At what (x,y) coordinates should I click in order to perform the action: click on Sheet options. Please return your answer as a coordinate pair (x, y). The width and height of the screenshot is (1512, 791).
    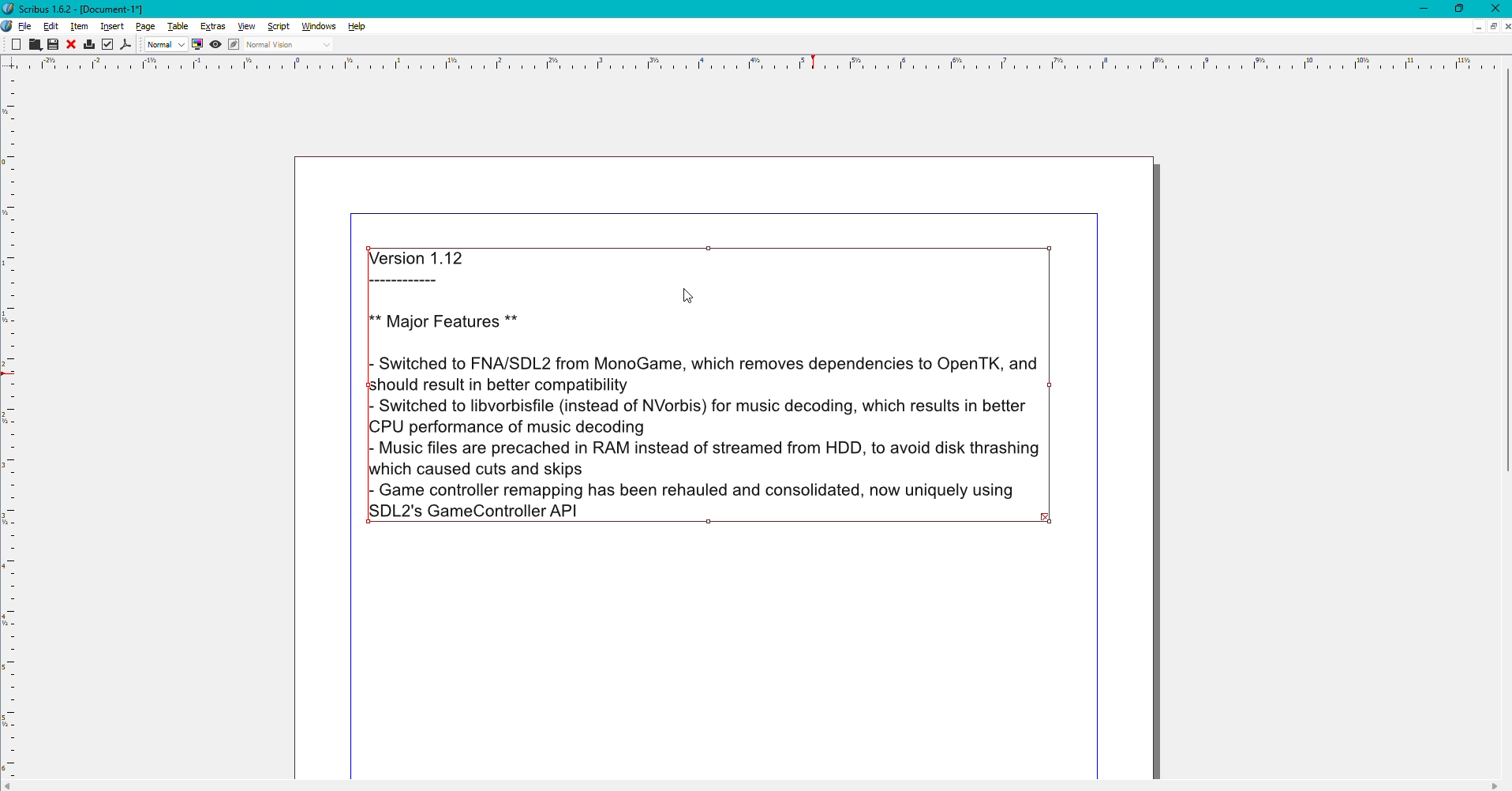
    Looking at the image, I should click on (1483, 25).